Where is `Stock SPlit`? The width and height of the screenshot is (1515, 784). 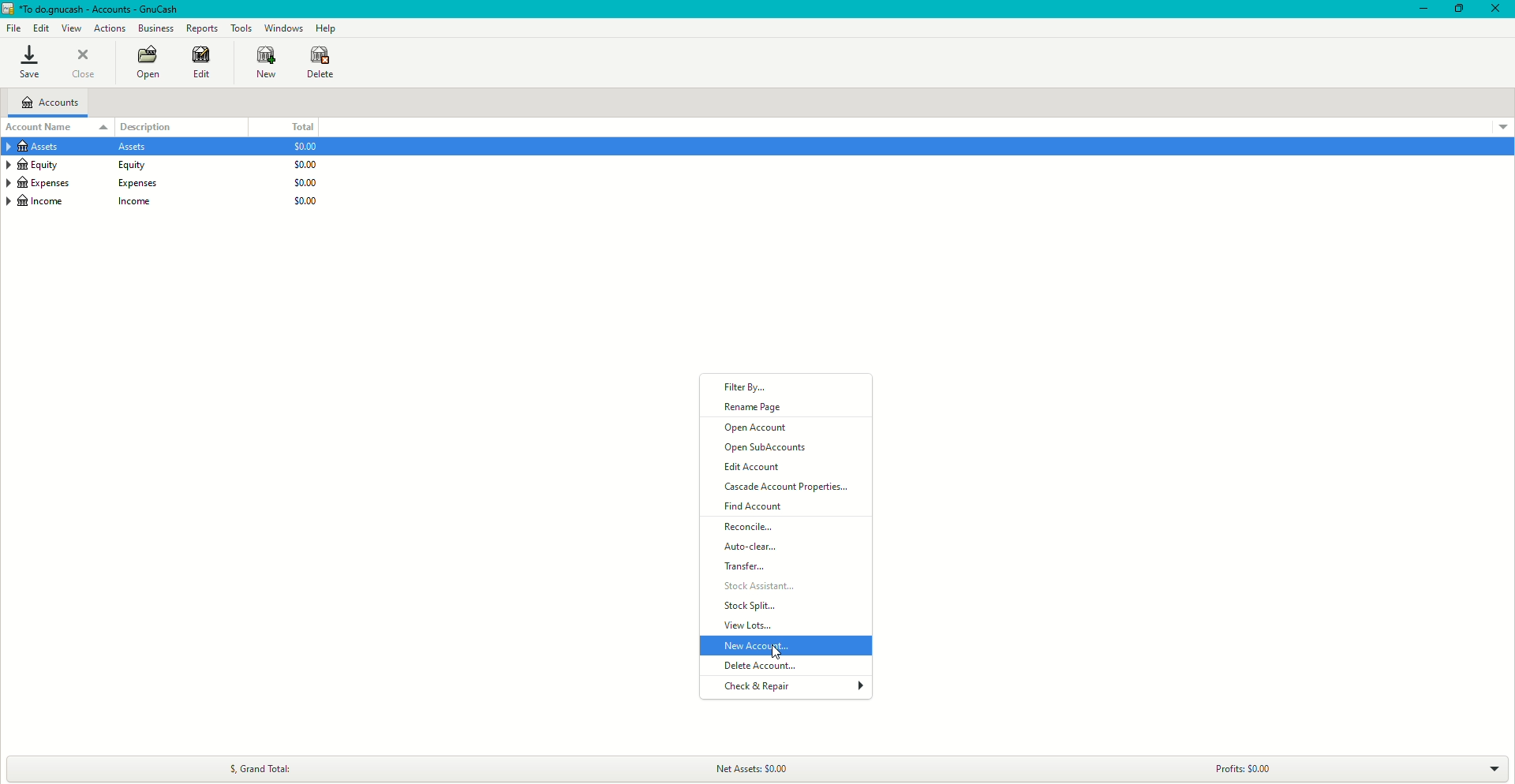
Stock SPlit is located at coordinates (749, 607).